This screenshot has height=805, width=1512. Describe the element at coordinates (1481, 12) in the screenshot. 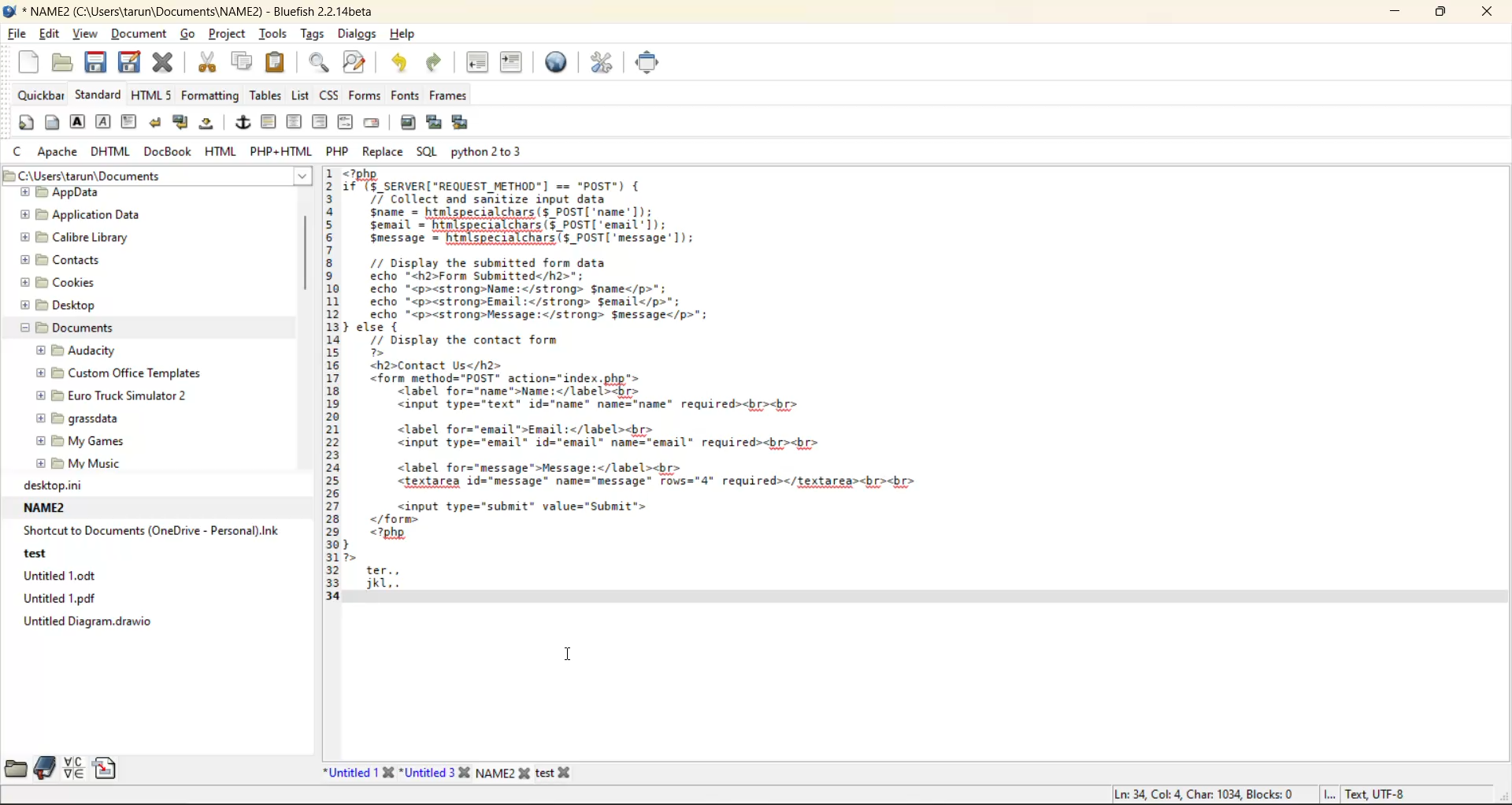

I see `close` at that location.